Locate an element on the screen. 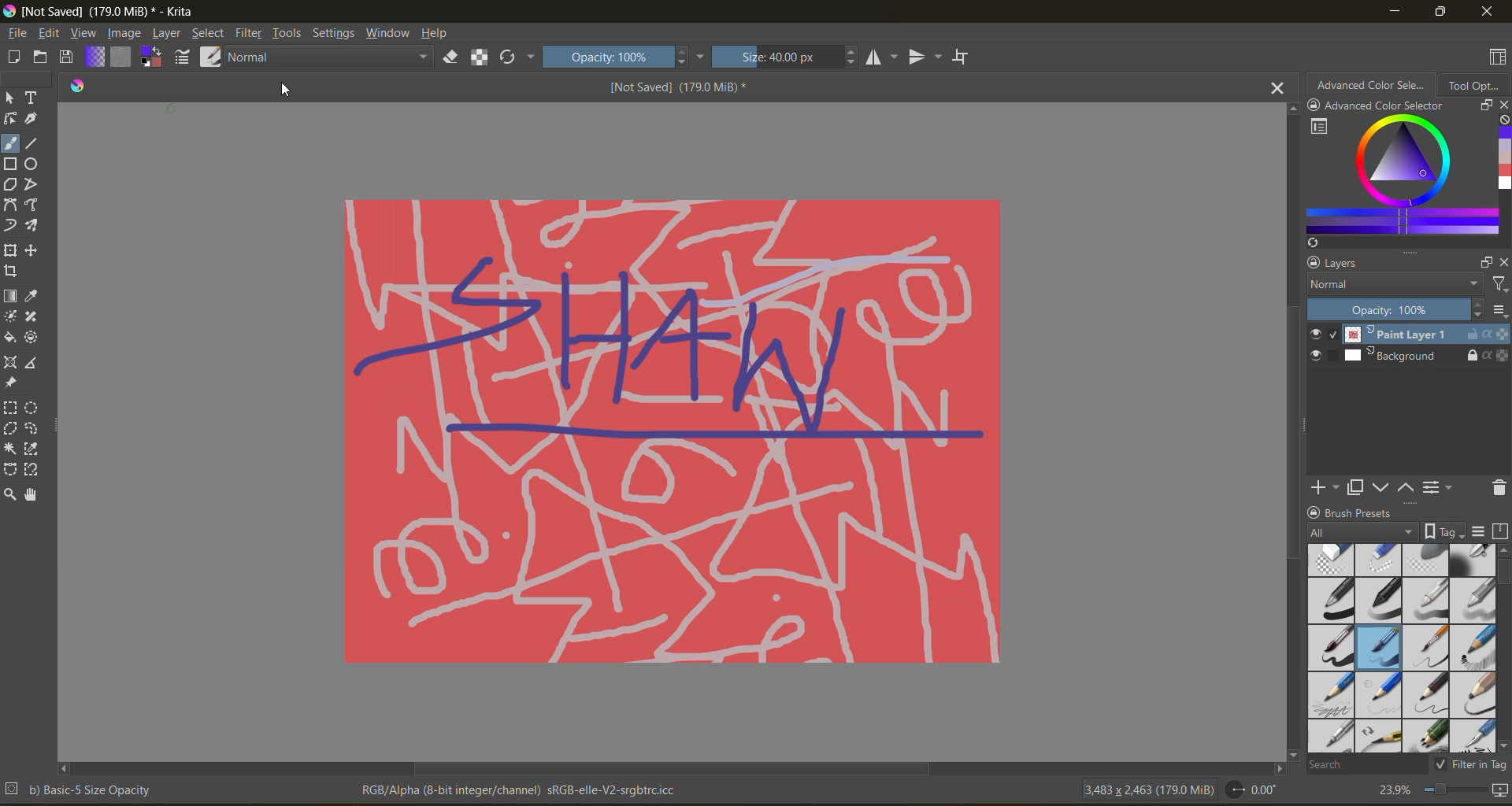 The image size is (1512, 806). layers is located at coordinates (1343, 263).